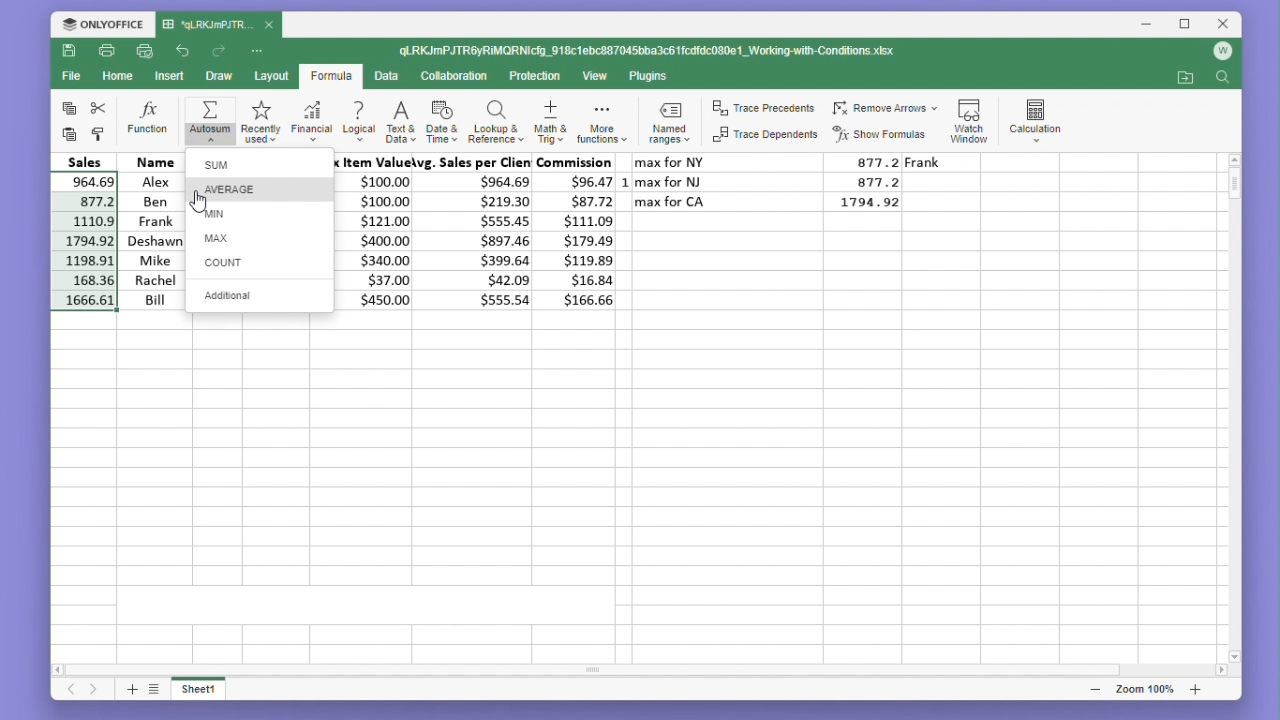 The width and height of the screenshot is (1280, 720). Describe the element at coordinates (604, 120) in the screenshot. I see `More functions` at that location.